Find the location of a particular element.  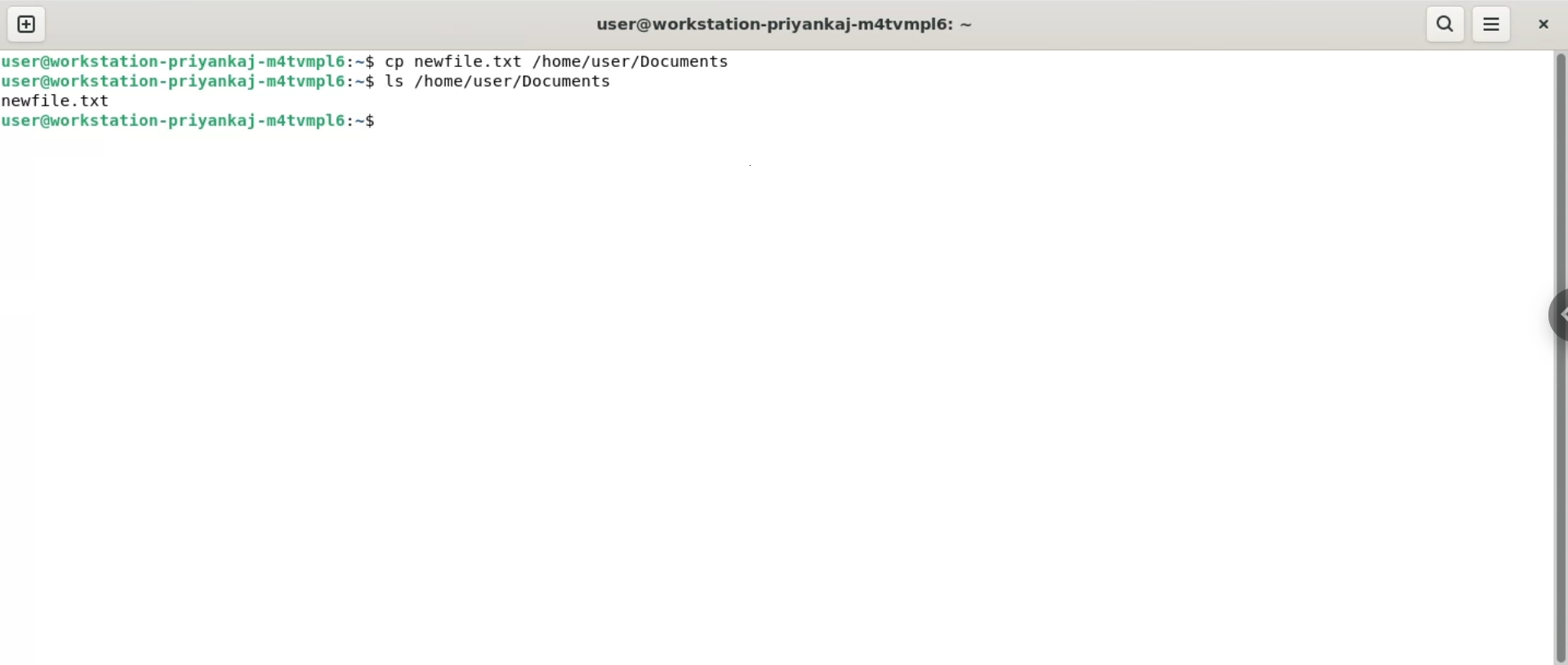

user@workstation-priyankaj-m4atvmpl6:~$ is located at coordinates (191, 83).